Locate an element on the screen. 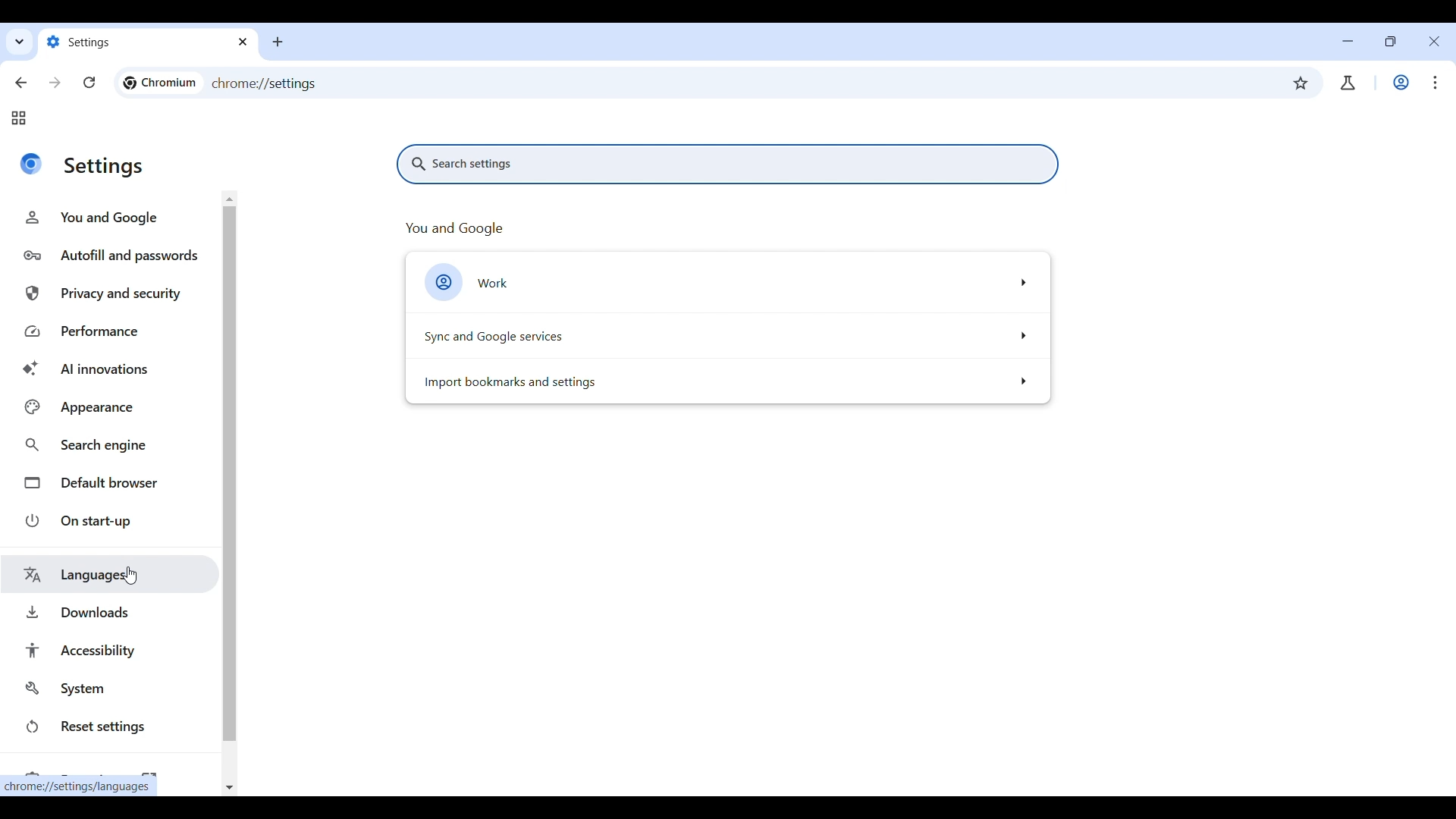 This screenshot has height=819, width=1456. Show interface in a smaller tab is located at coordinates (1387, 44).